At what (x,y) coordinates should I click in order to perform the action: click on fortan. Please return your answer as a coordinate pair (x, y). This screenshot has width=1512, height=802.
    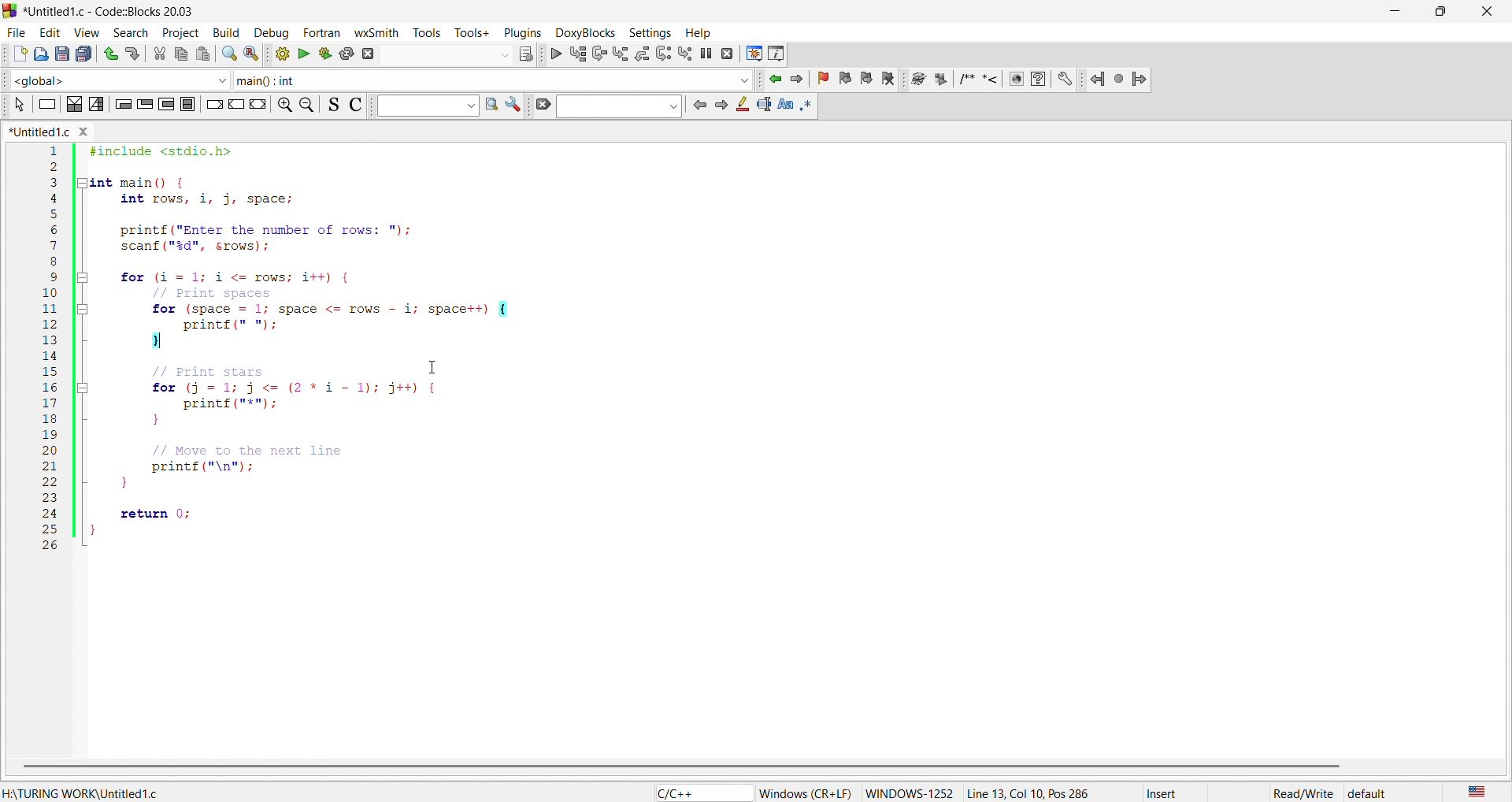
    Looking at the image, I should click on (324, 32).